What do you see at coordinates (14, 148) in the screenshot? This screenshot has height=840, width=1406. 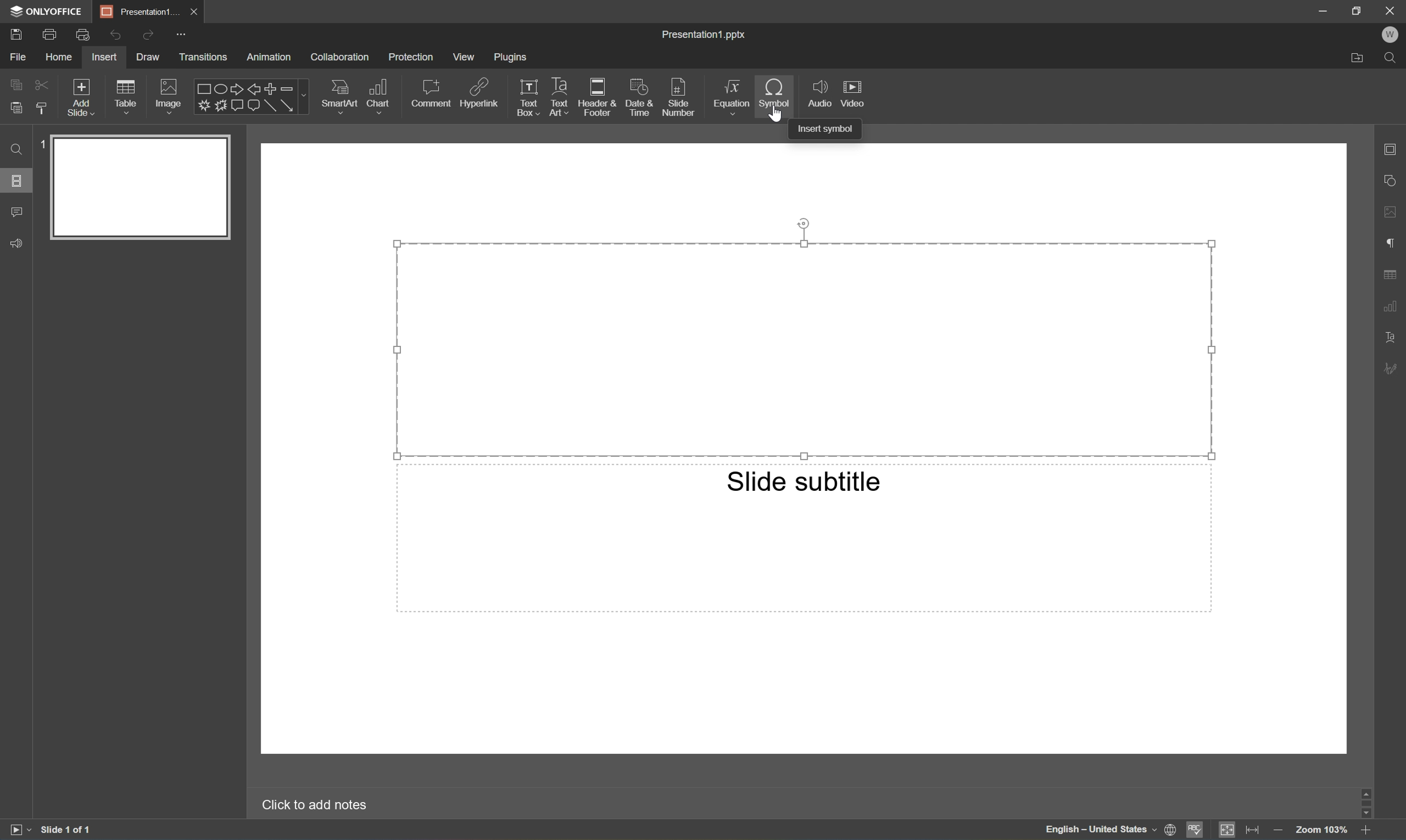 I see `Find` at bounding box center [14, 148].